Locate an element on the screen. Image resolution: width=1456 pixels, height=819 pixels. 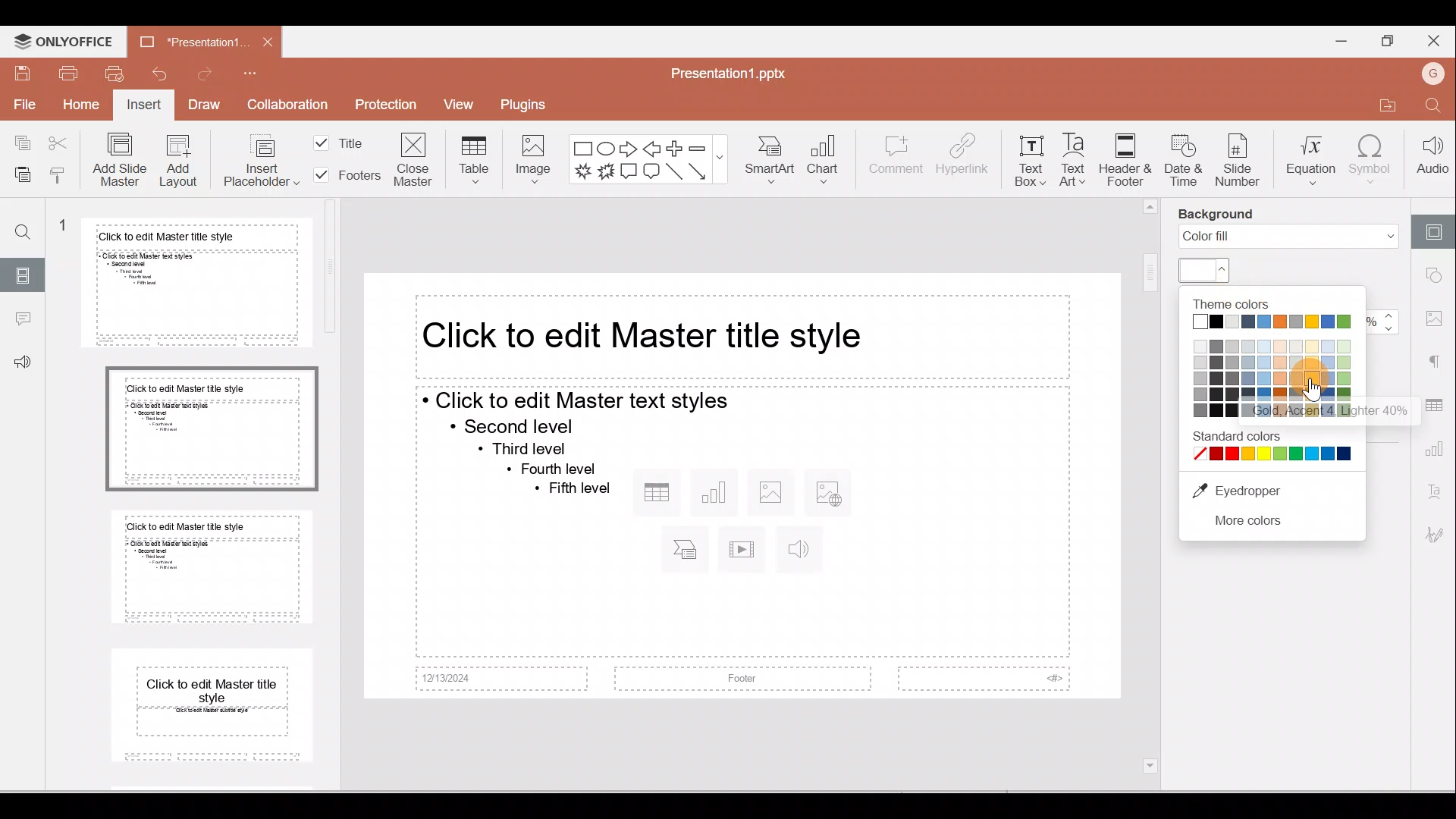
Table settings is located at coordinates (1435, 404).